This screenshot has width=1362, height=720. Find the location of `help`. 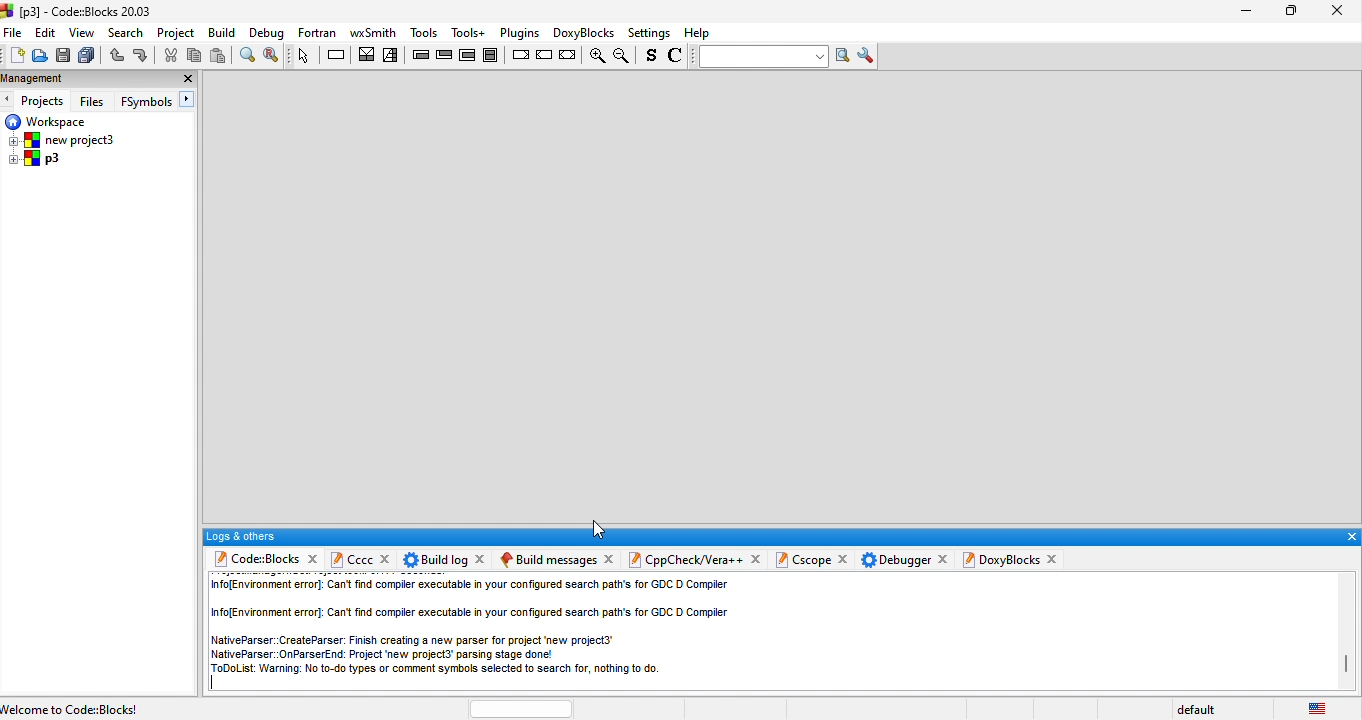

help is located at coordinates (700, 33).